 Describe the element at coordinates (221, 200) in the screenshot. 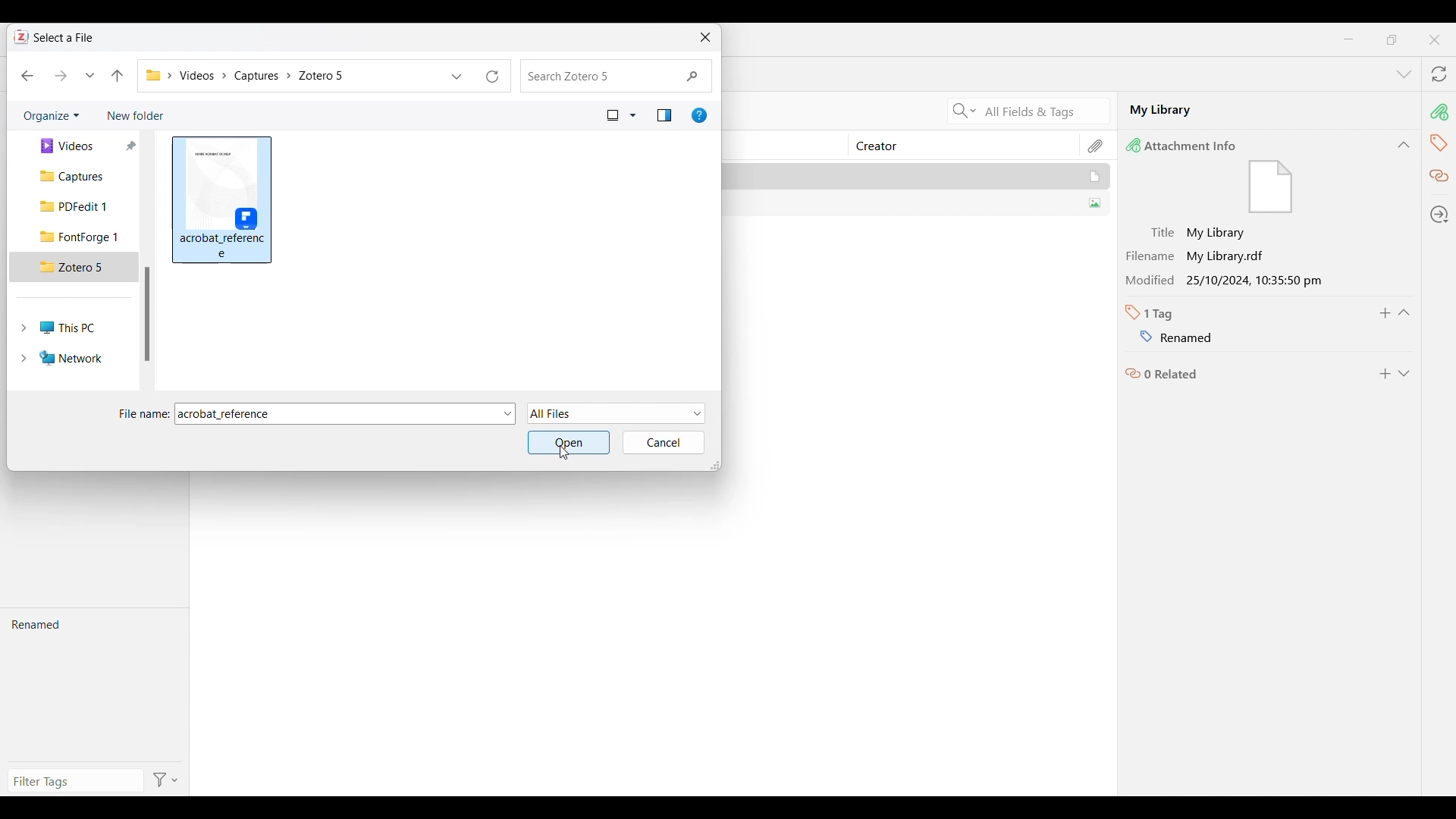

I see `Selected file highlighted` at that location.